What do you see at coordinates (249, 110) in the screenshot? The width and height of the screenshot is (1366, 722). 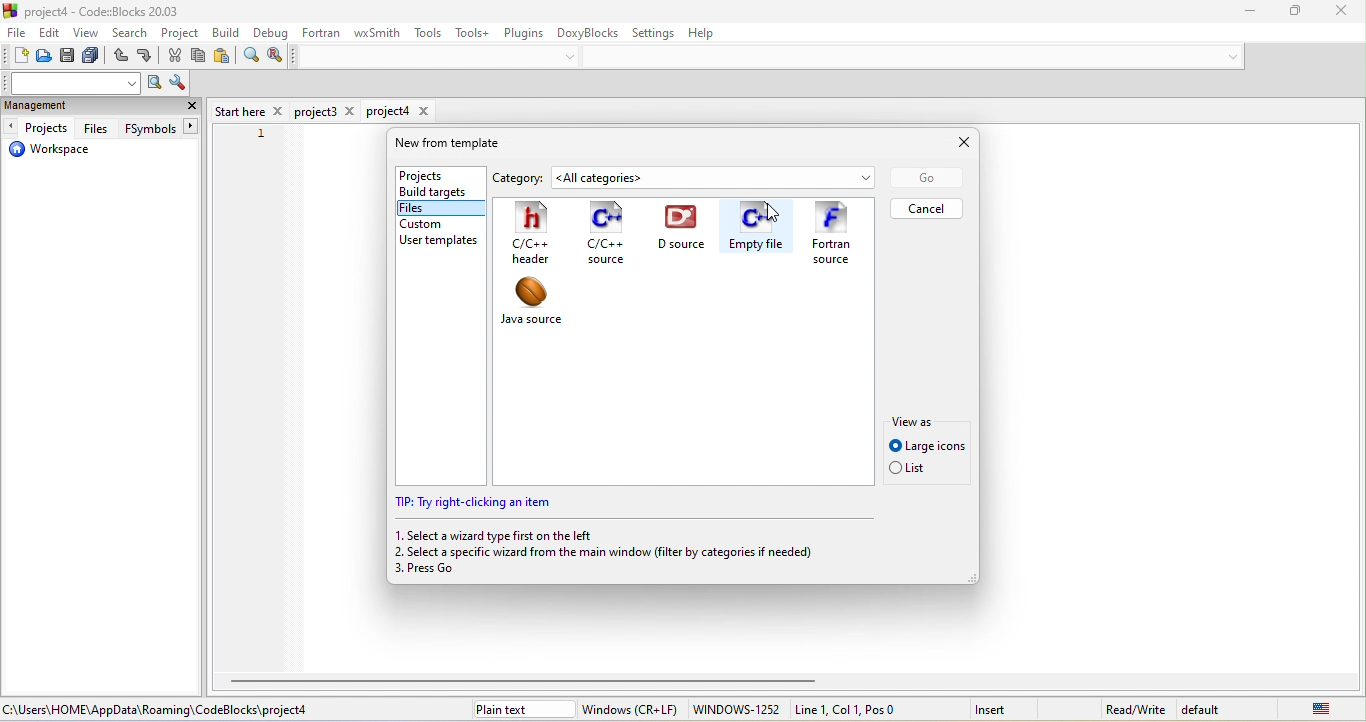 I see `start here` at bounding box center [249, 110].